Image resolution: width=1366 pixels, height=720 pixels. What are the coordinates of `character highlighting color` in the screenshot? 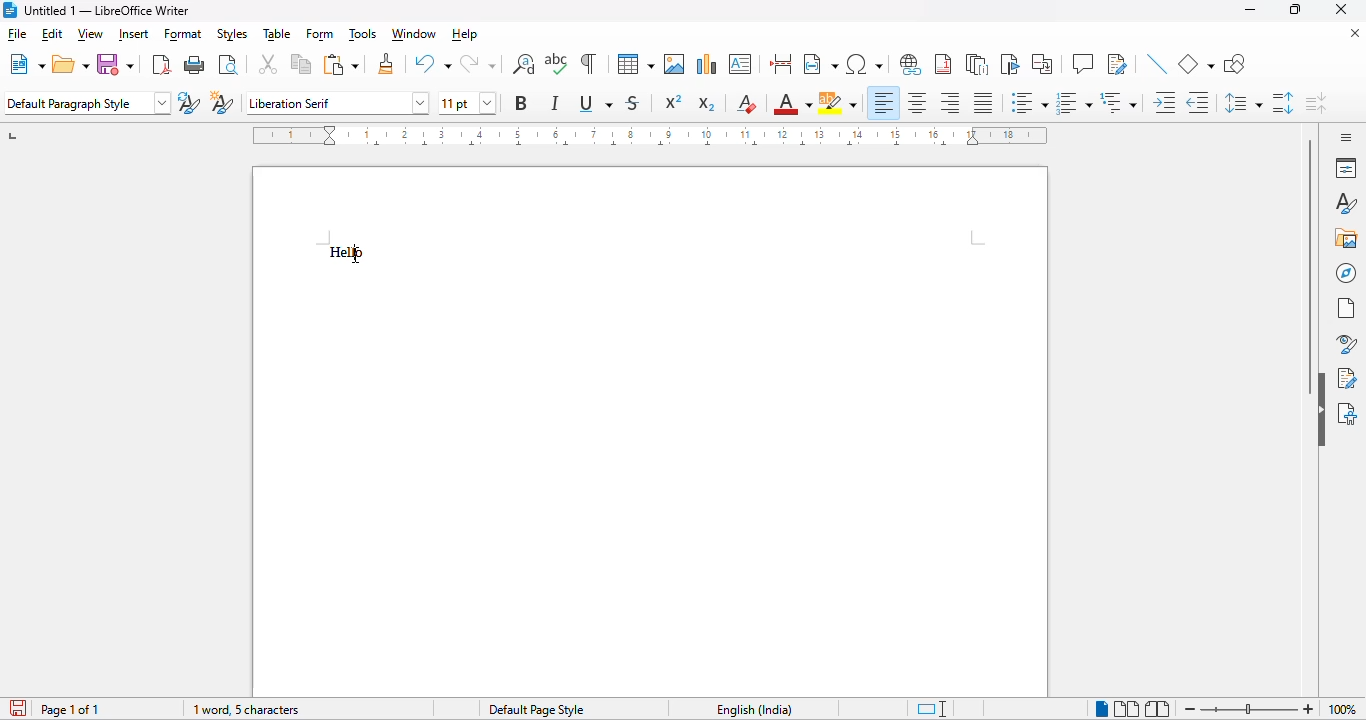 It's located at (839, 104).